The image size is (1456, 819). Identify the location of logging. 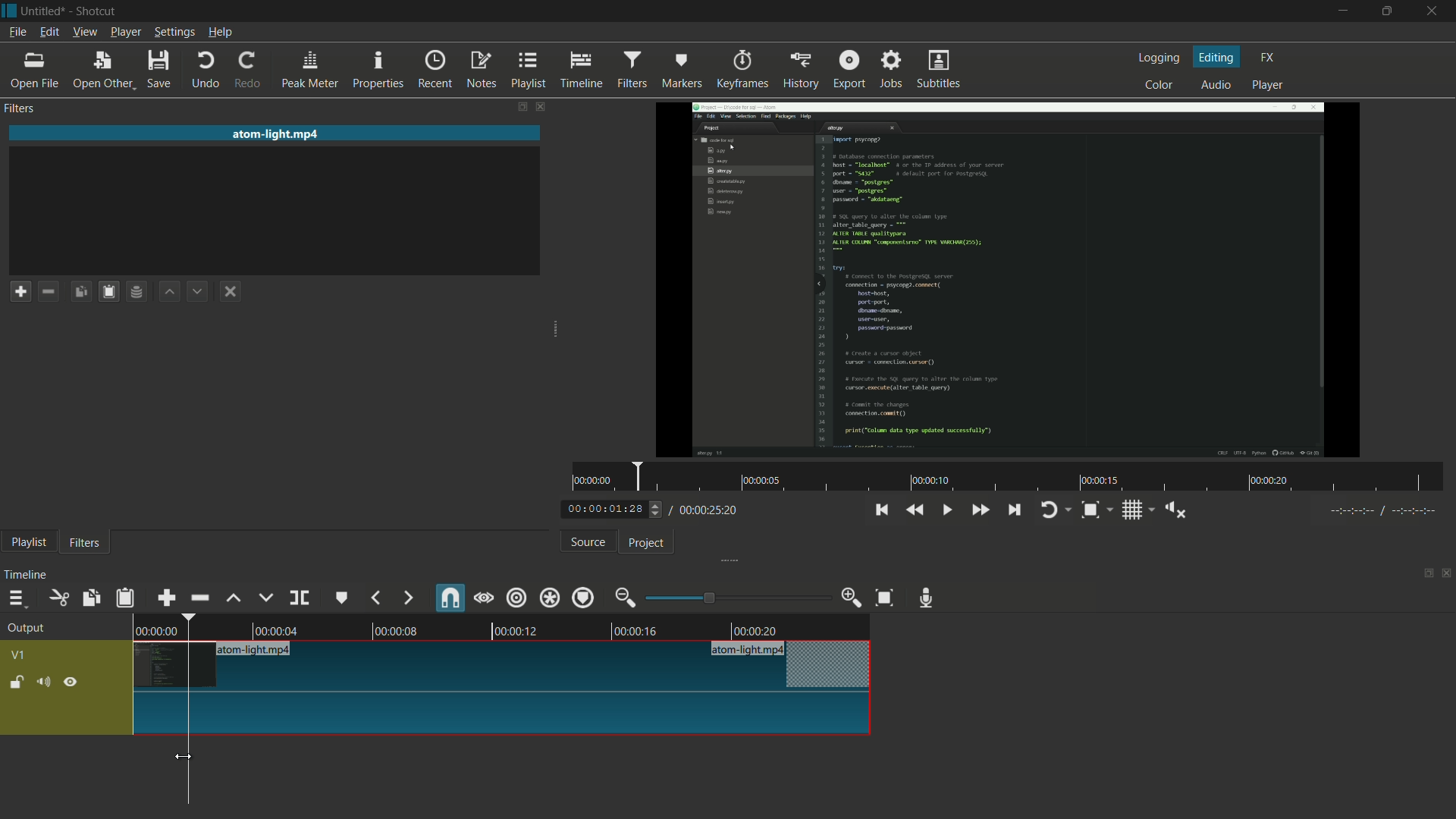
(1162, 58).